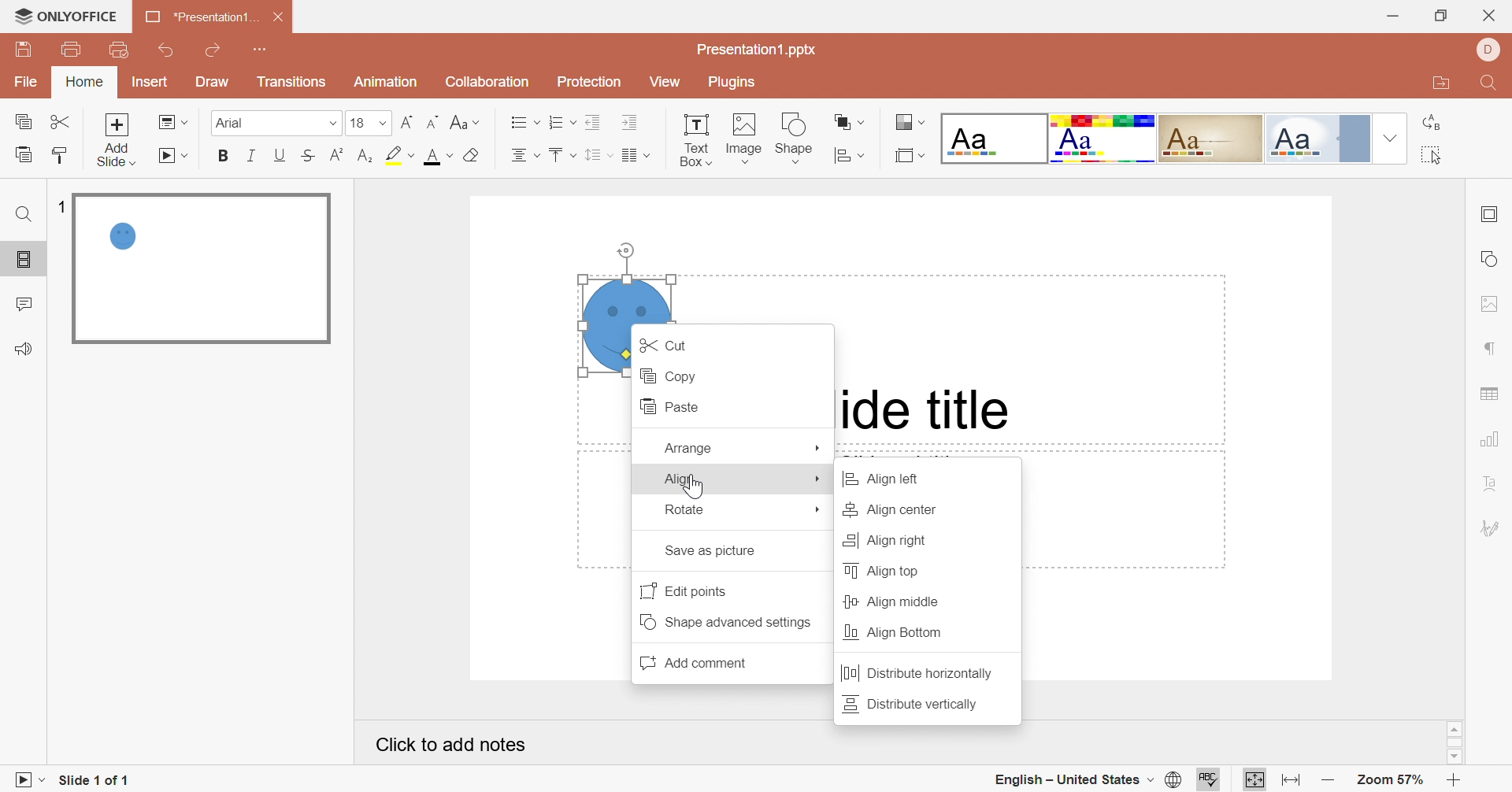  What do you see at coordinates (884, 539) in the screenshot?
I see `Align Right` at bounding box center [884, 539].